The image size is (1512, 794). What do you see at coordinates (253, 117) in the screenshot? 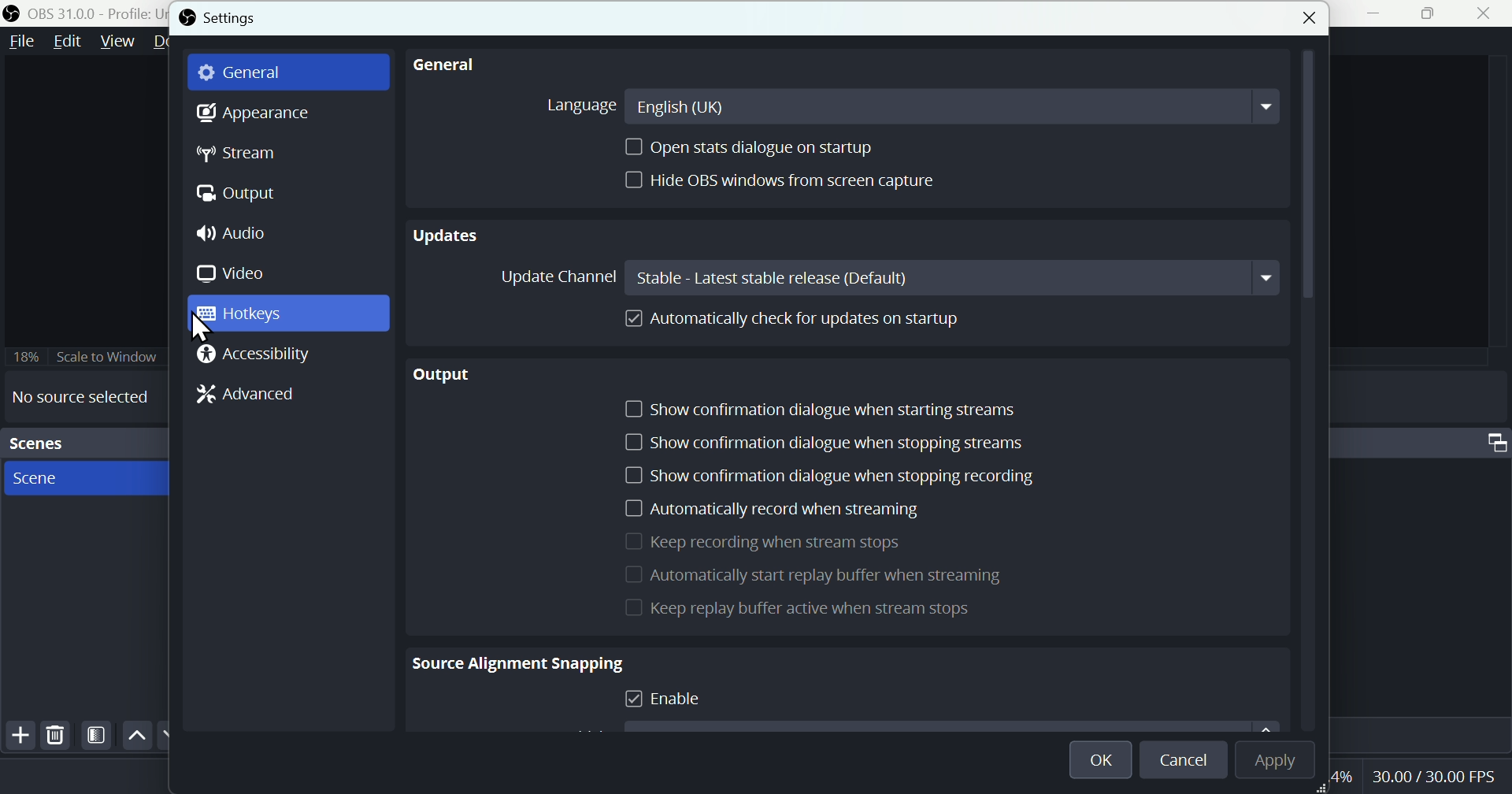
I see `Appearance` at bounding box center [253, 117].